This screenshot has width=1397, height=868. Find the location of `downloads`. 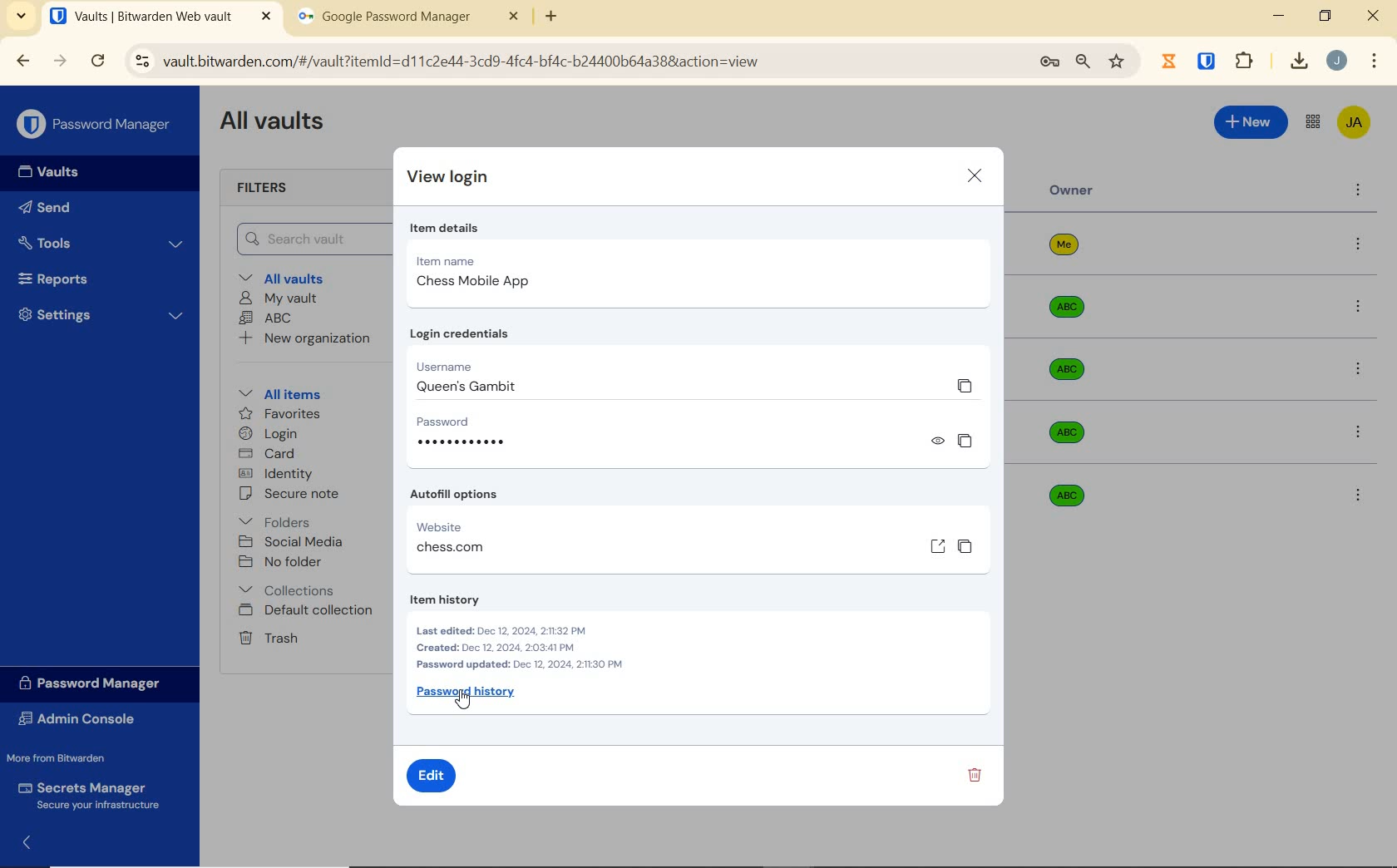

downloads is located at coordinates (1294, 62).